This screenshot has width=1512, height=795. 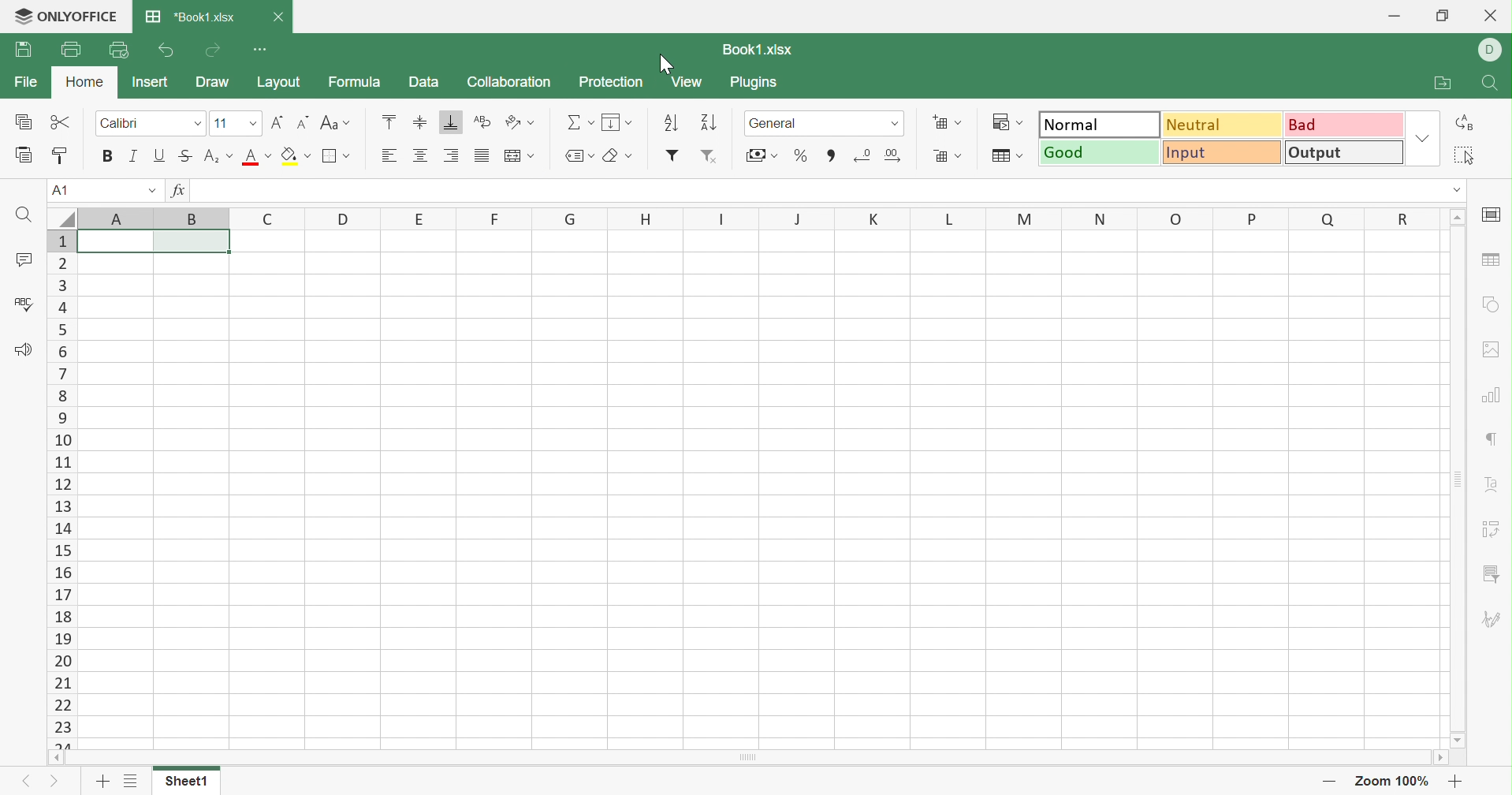 I want to click on Font color, so click(x=255, y=157).